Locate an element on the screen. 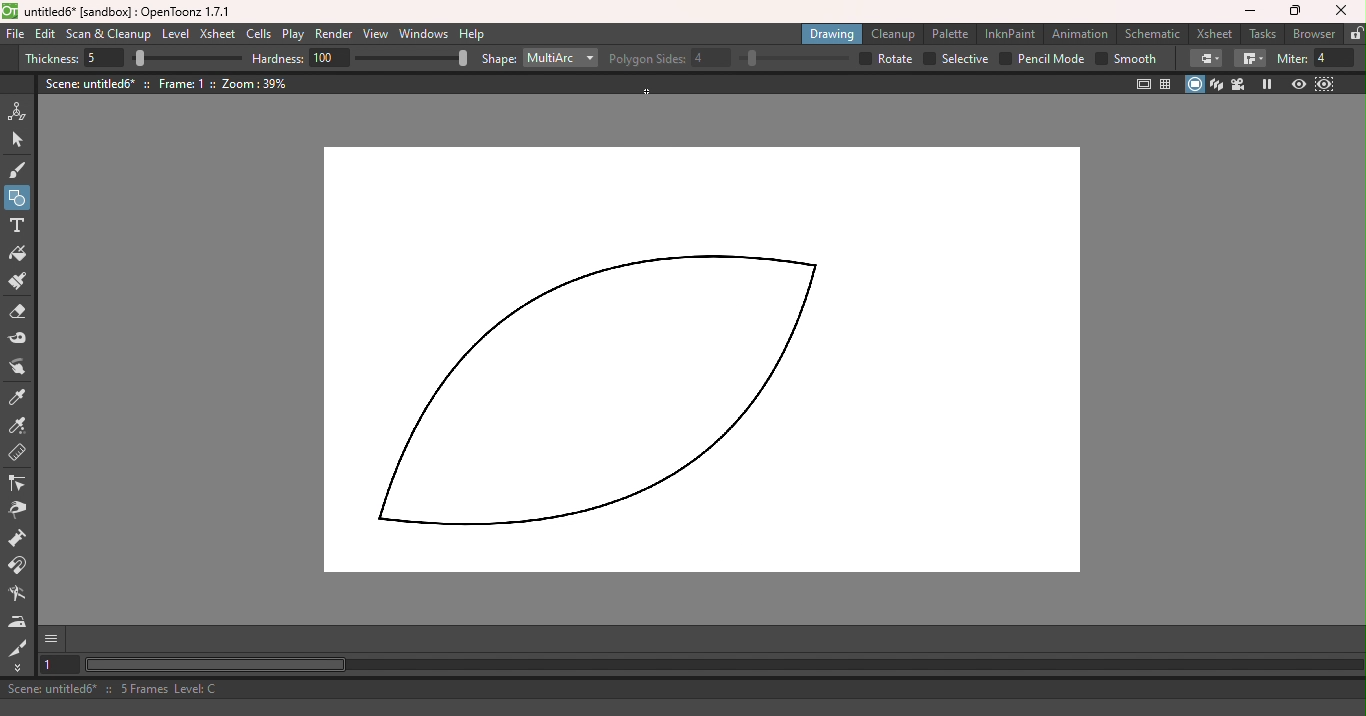 The image size is (1366, 716). Smooth is located at coordinates (1126, 60).